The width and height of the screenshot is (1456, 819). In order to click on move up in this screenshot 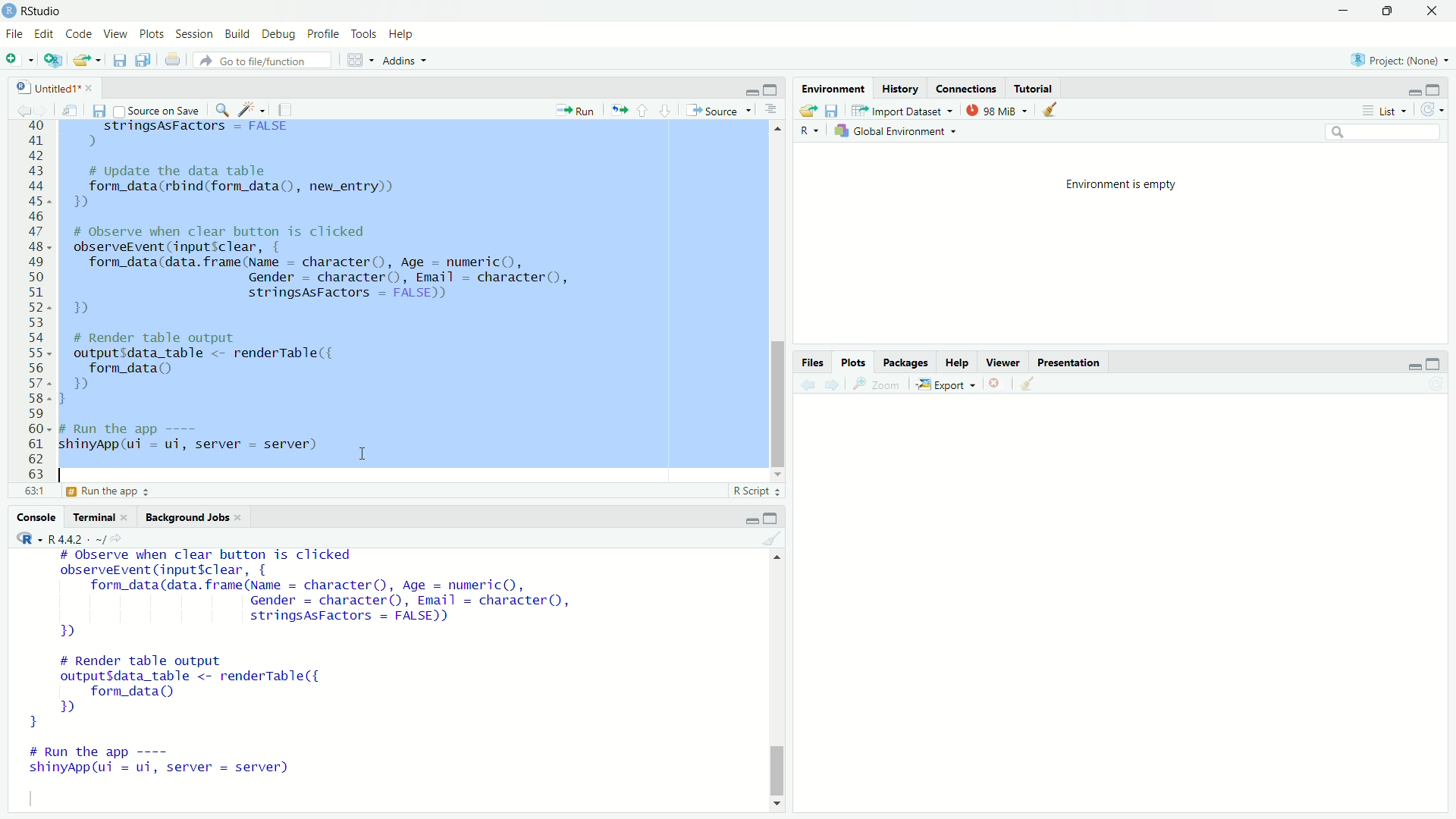, I will do `click(775, 560)`.